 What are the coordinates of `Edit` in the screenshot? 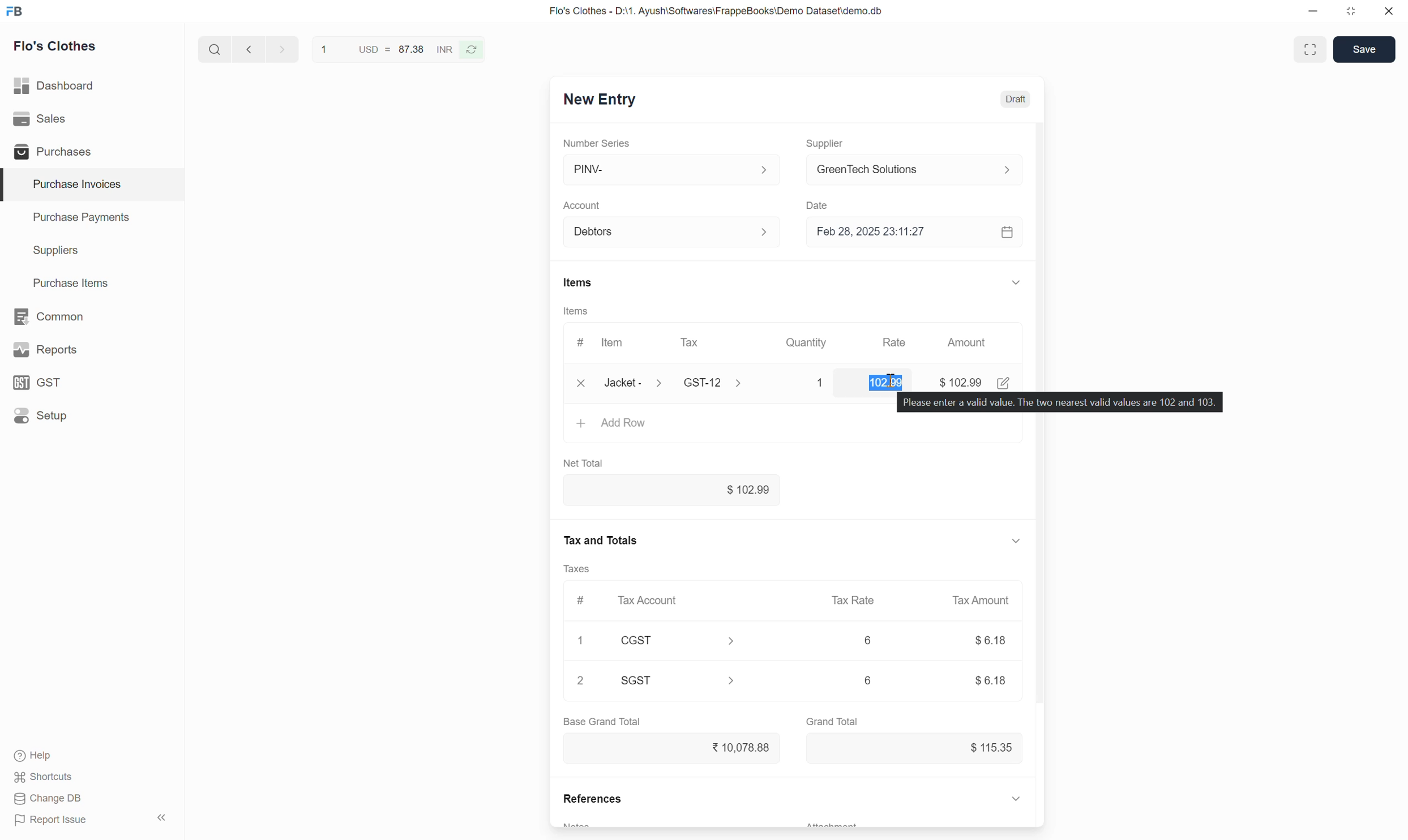 It's located at (1004, 383).